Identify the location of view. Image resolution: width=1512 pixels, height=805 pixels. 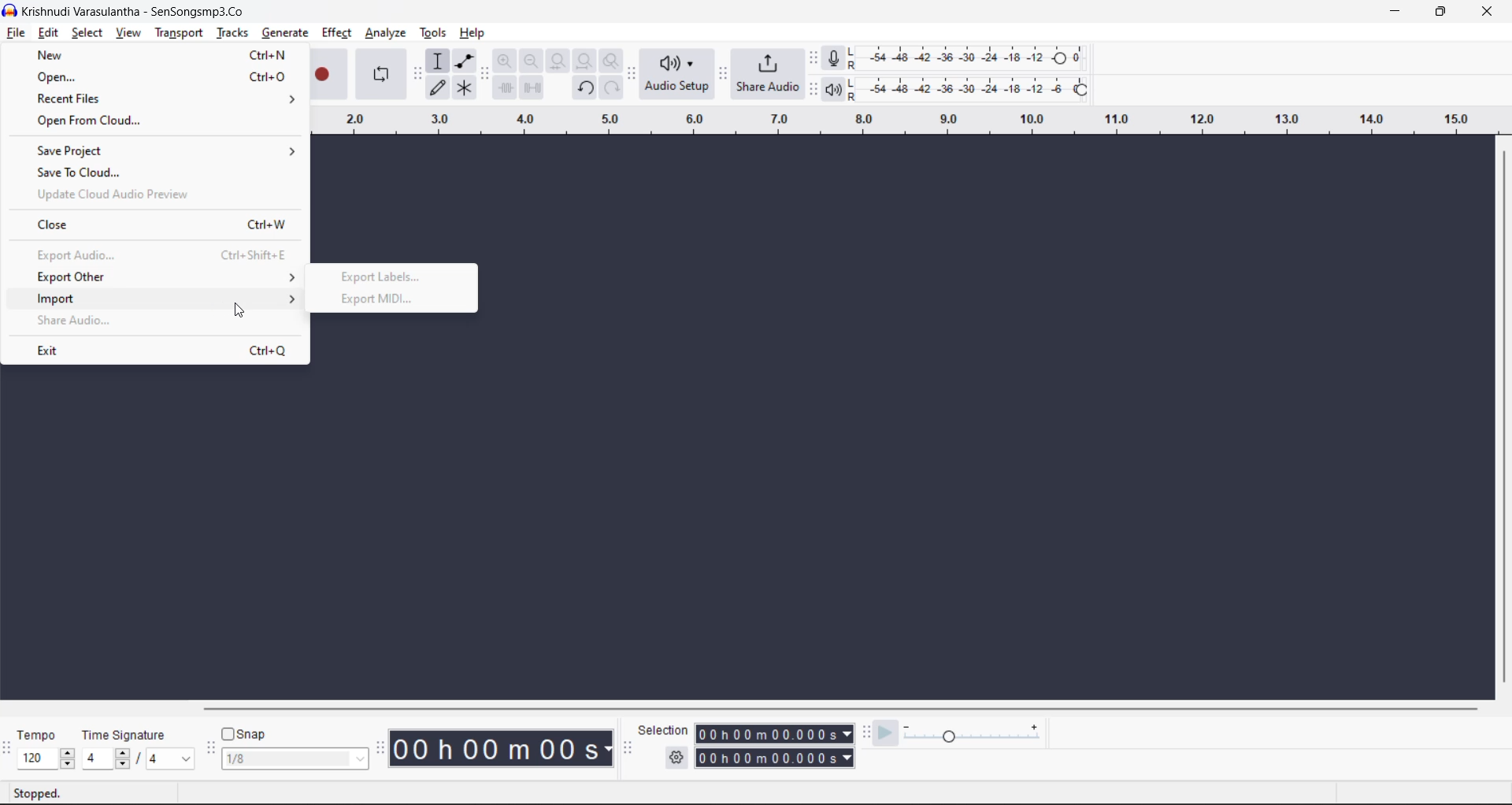
(131, 33).